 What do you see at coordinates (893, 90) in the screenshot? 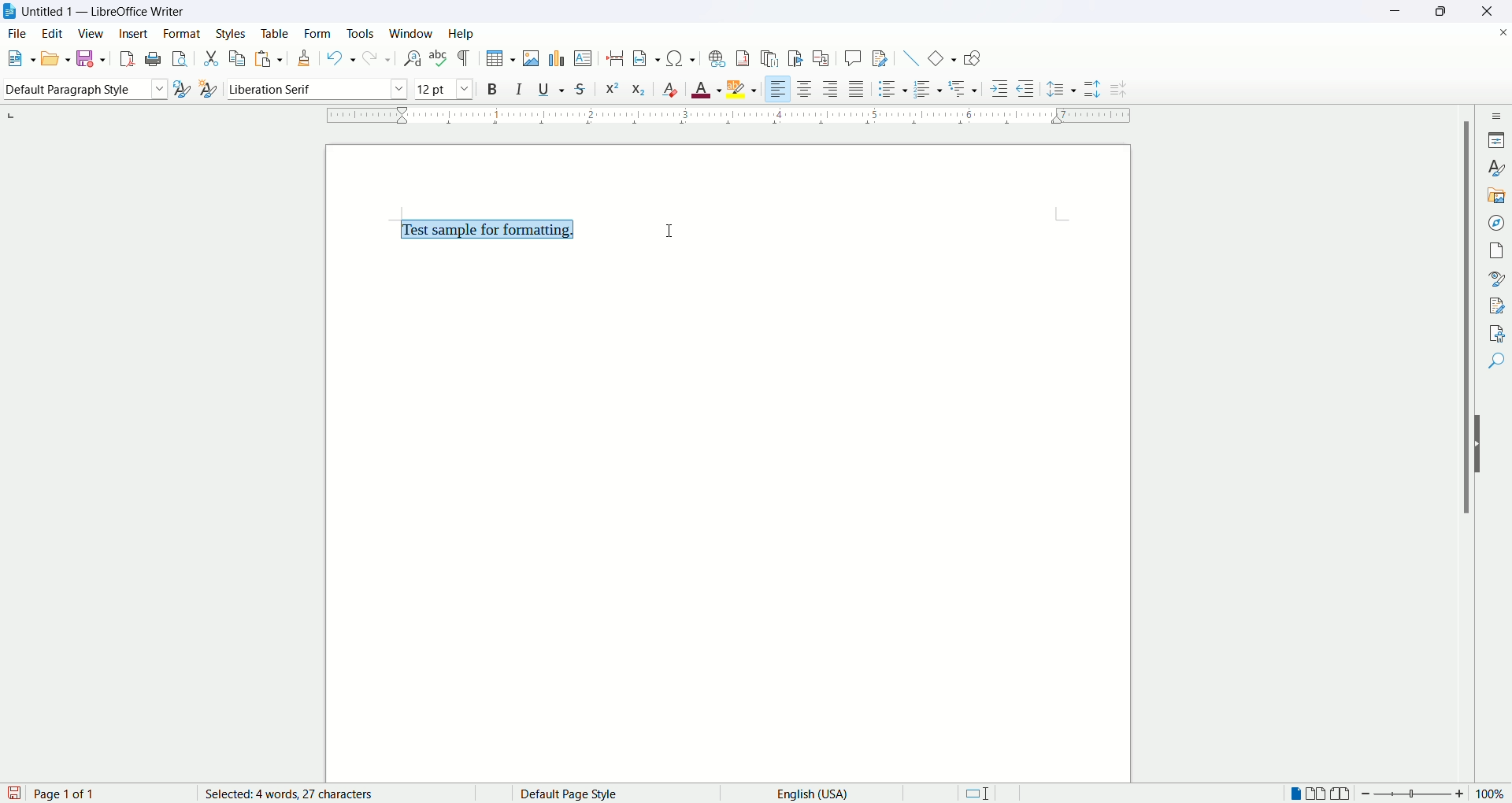
I see `unordered list` at bounding box center [893, 90].